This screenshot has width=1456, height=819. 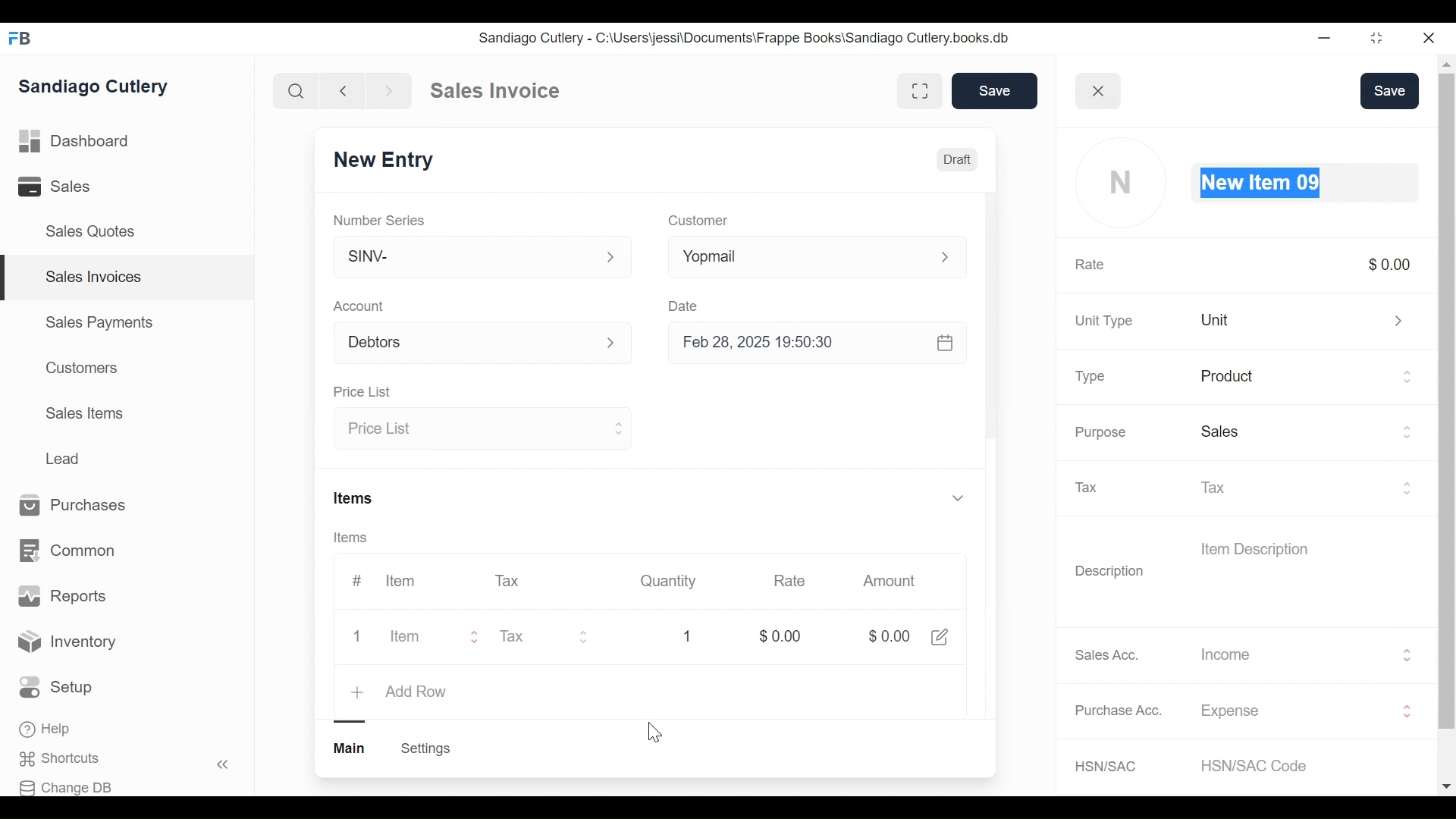 I want to click on Number Series, so click(x=379, y=218).